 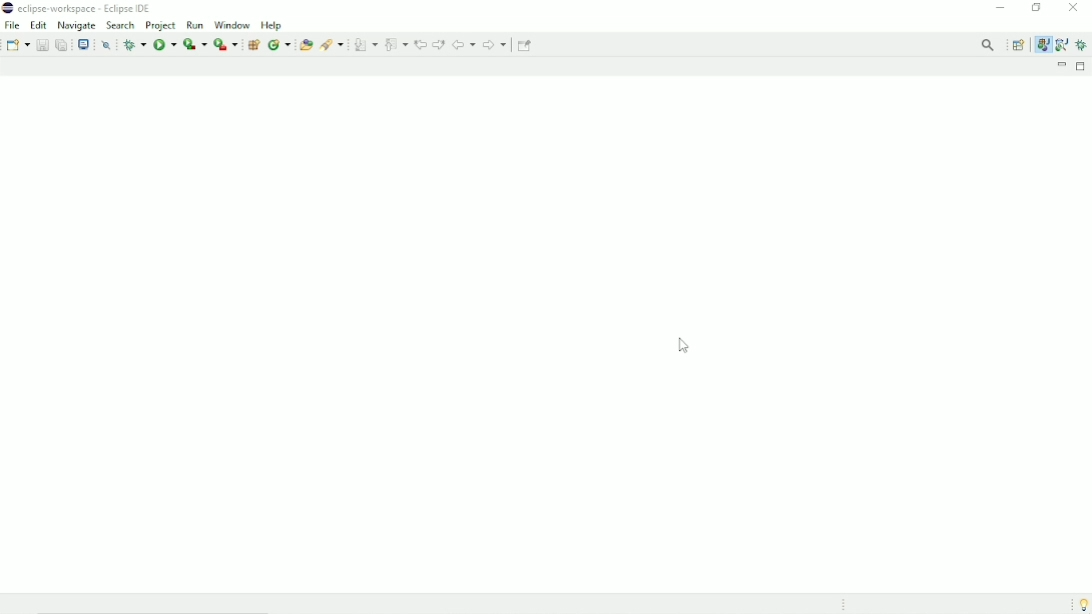 I want to click on New java package, so click(x=255, y=44).